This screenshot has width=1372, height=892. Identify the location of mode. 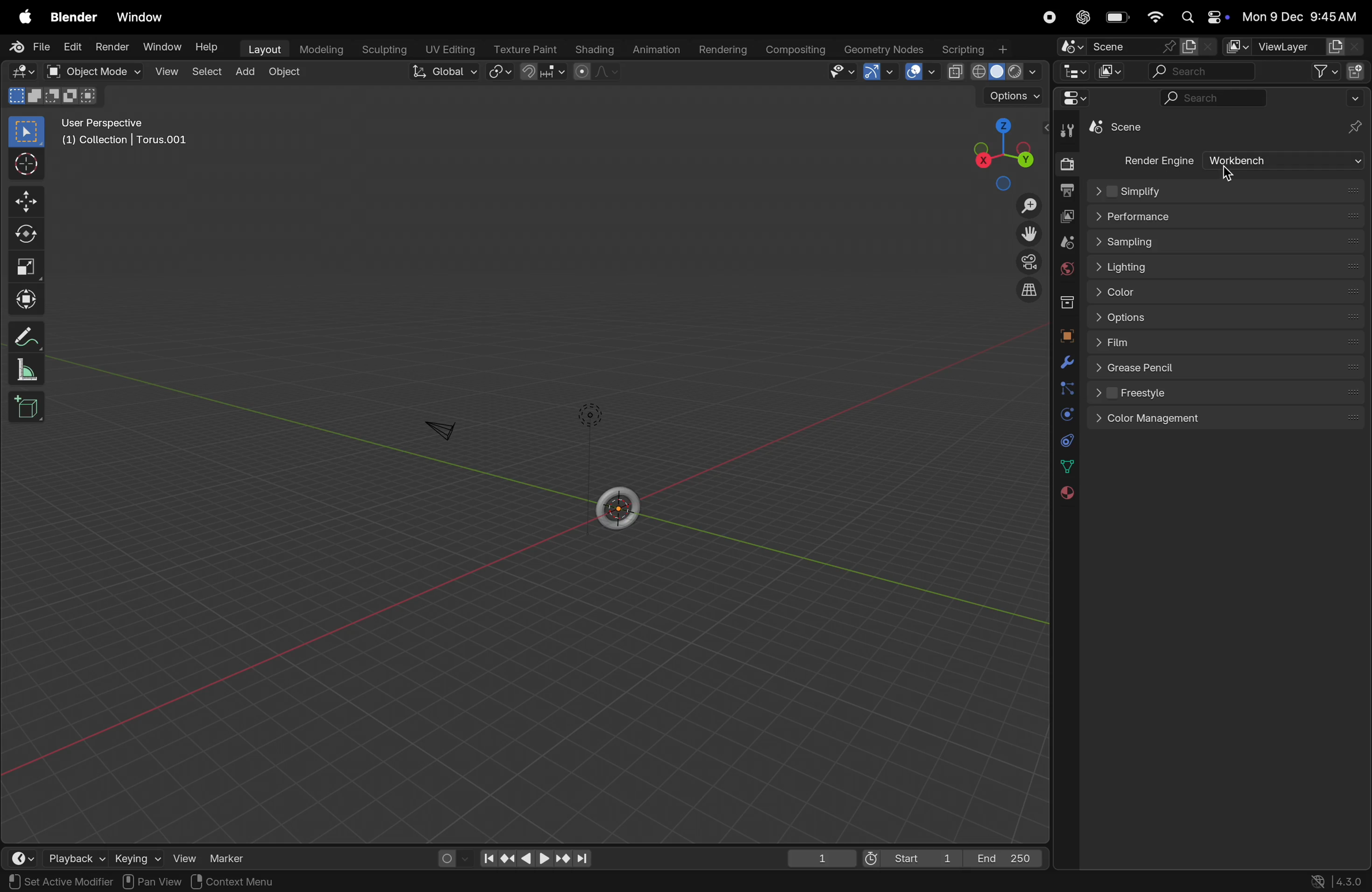
(52, 97).